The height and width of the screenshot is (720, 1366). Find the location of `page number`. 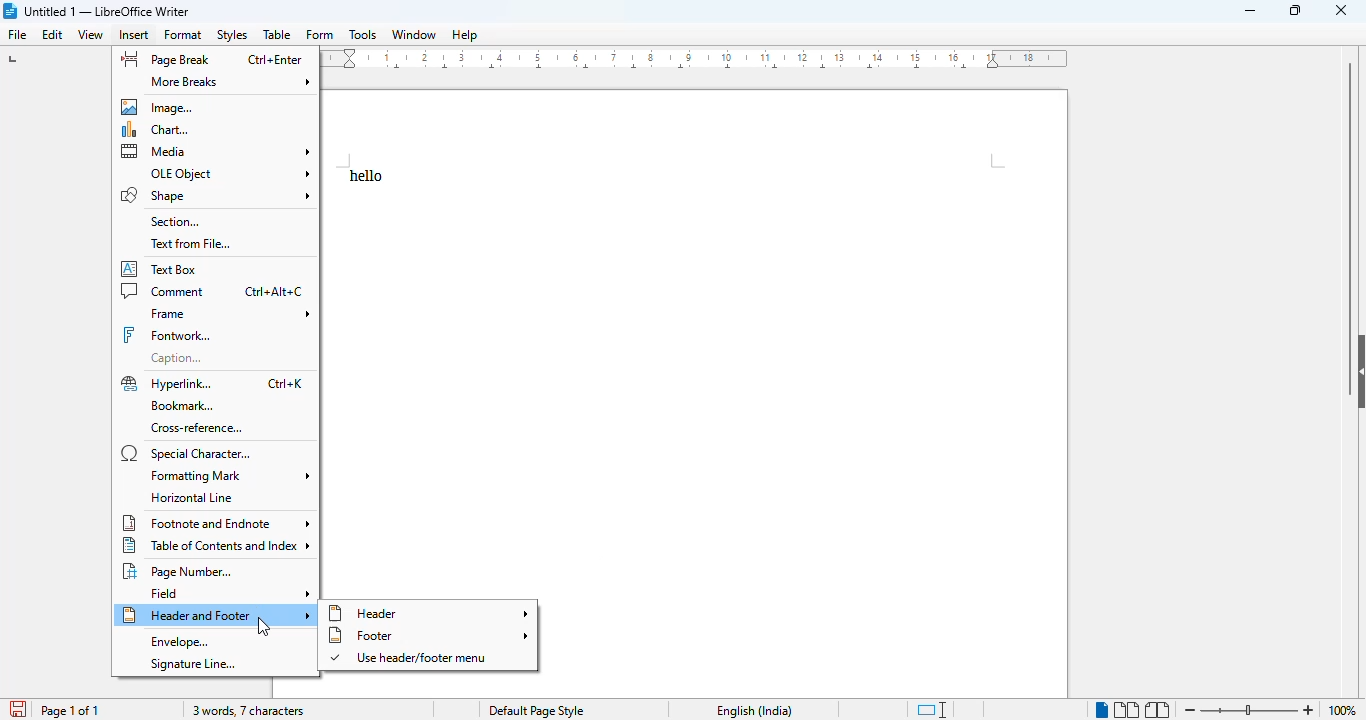

page number is located at coordinates (178, 571).